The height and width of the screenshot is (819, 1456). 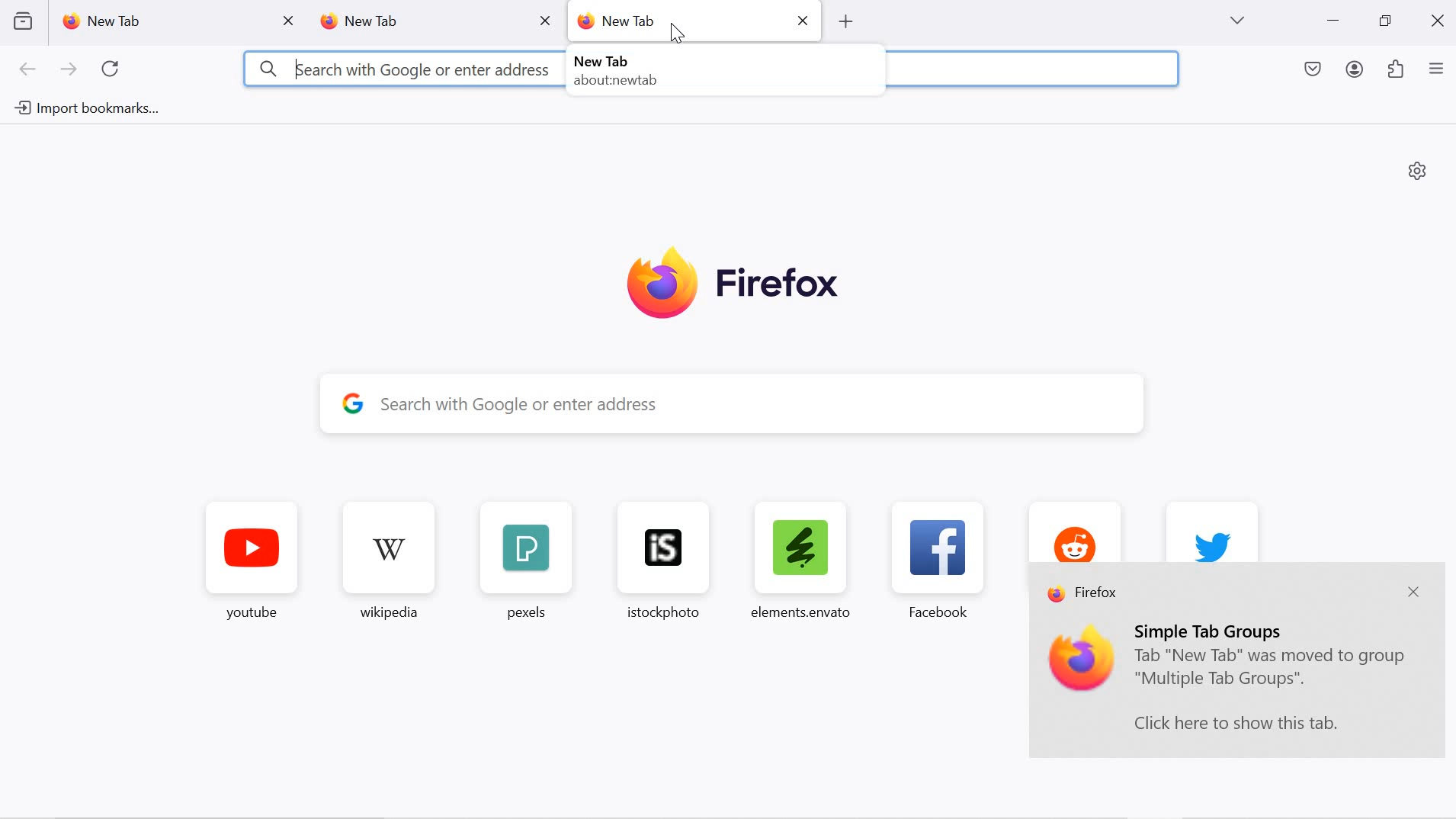 I want to click on new tab, so click(x=413, y=22).